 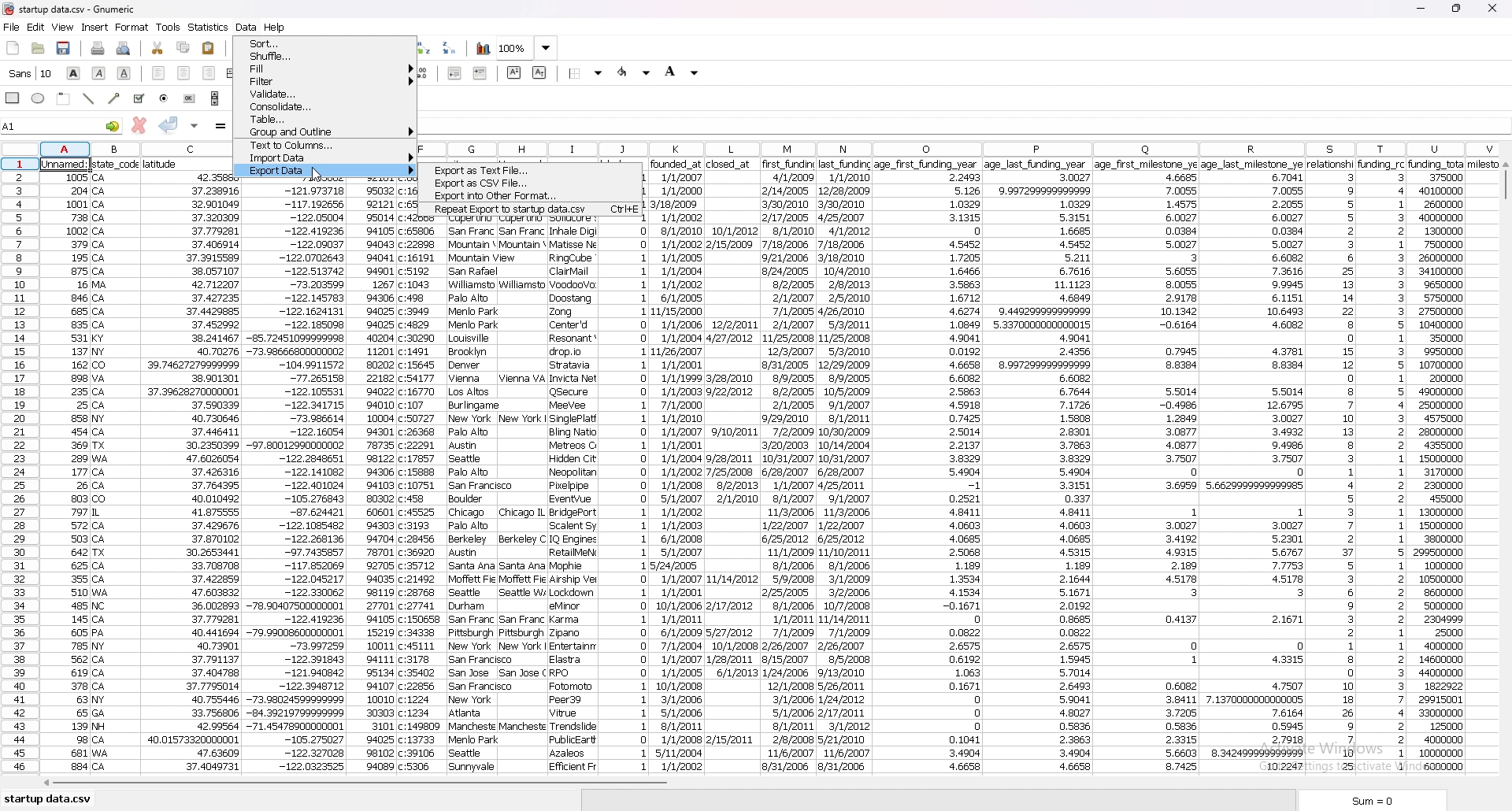 I want to click on data, so click(x=296, y=478).